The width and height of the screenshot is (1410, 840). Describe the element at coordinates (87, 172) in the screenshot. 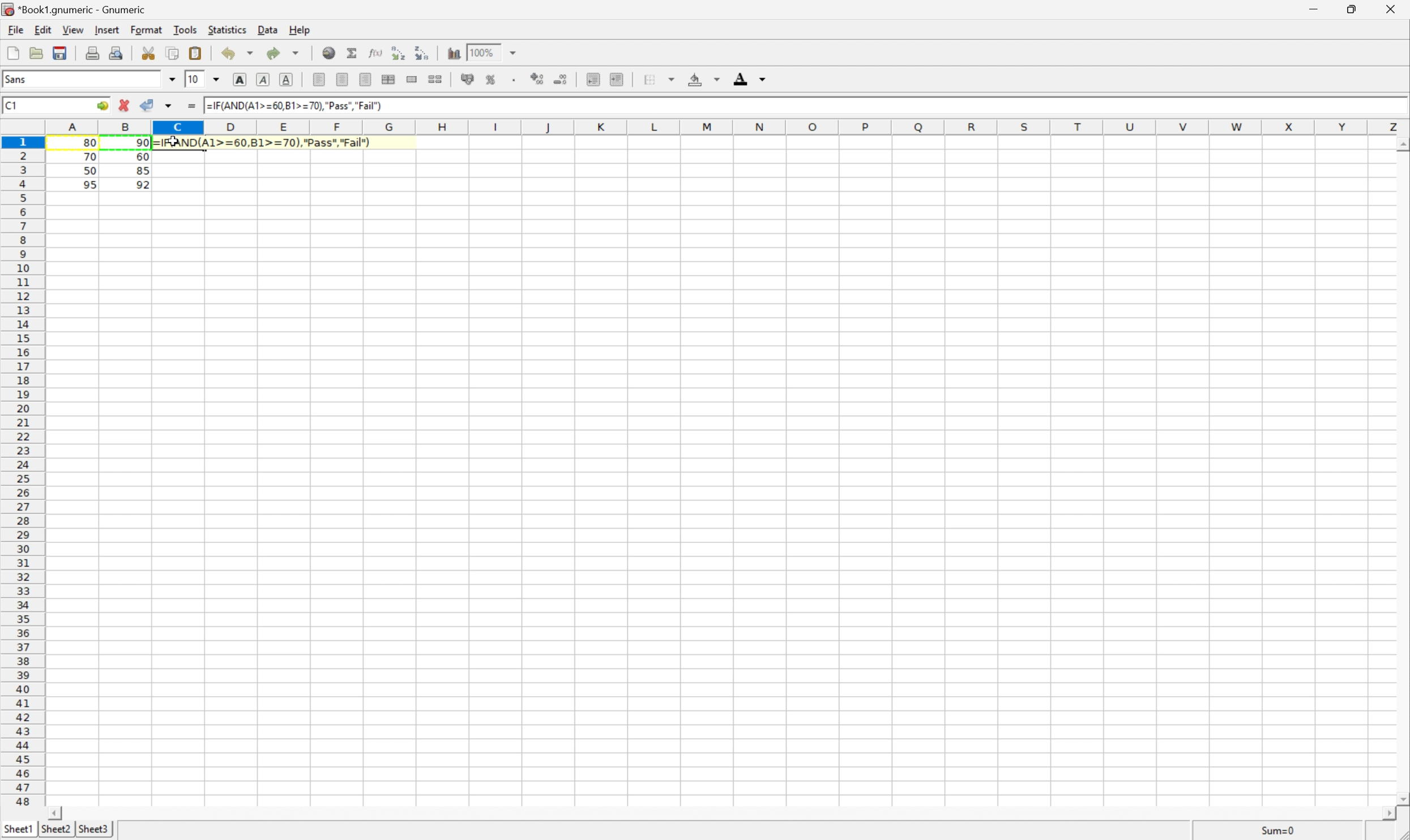

I see `50` at that location.